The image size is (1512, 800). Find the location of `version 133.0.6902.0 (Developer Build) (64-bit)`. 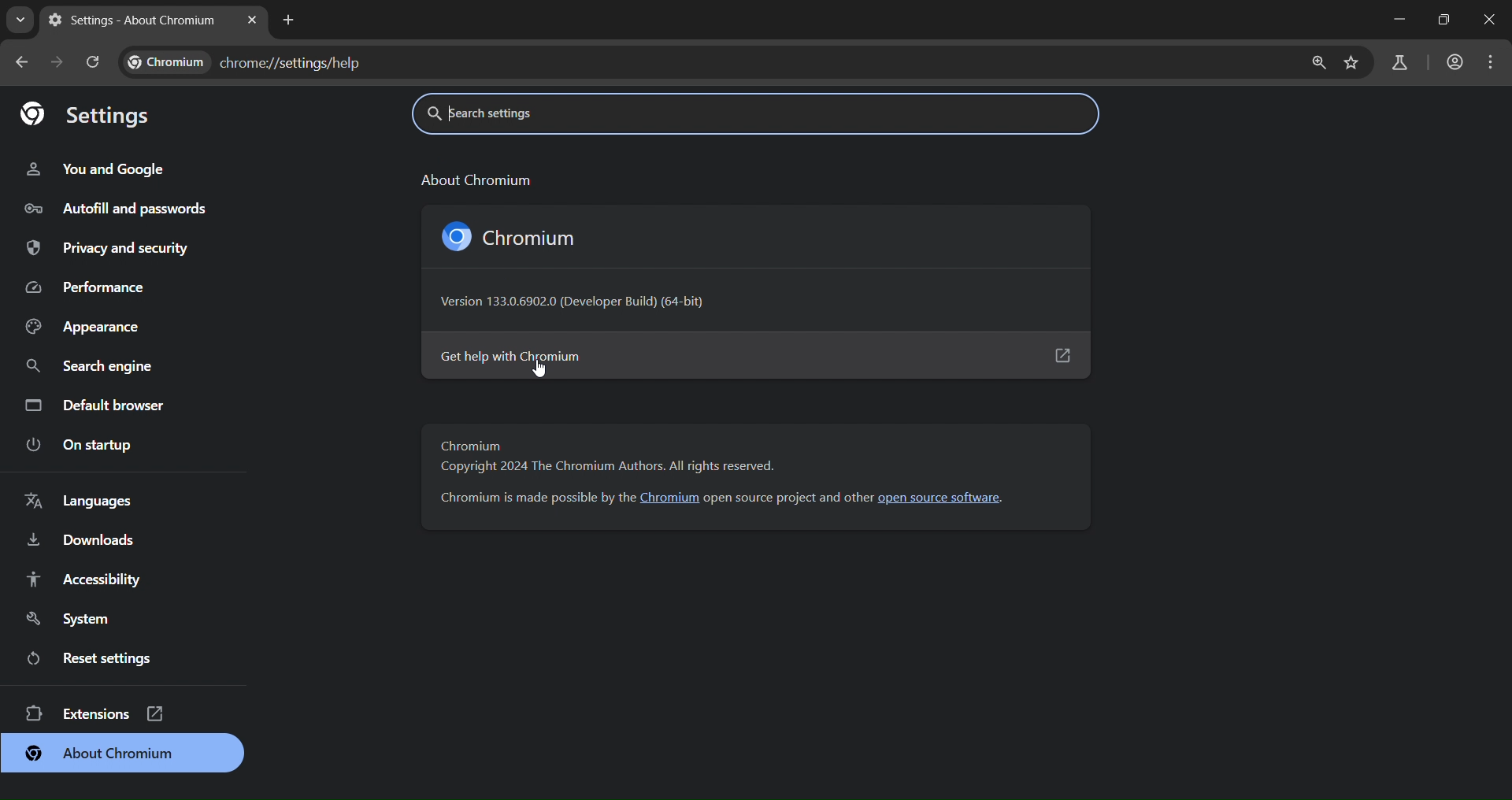

version 133.0.6902.0 (Developer Build) (64-bit) is located at coordinates (580, 304).